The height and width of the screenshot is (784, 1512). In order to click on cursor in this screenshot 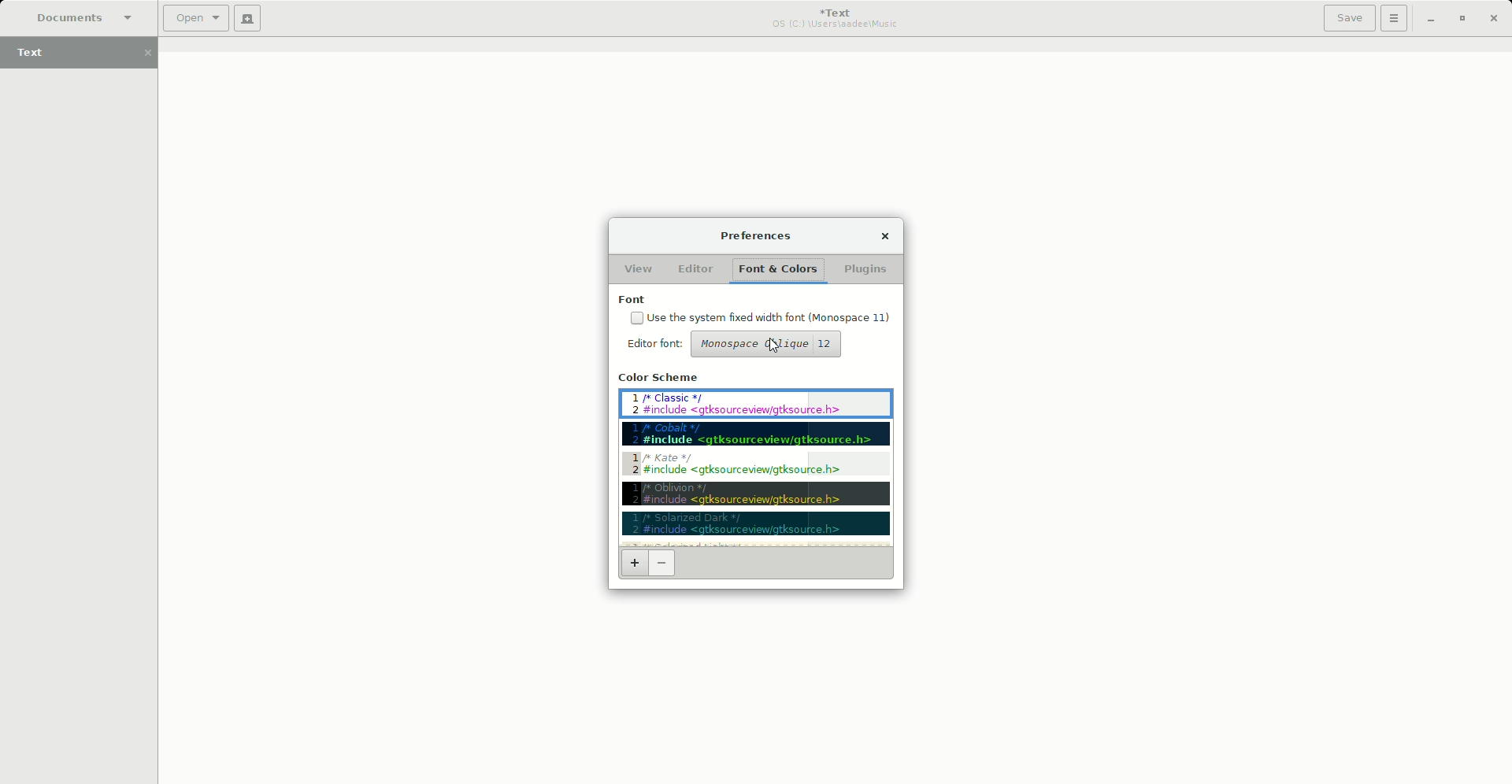, I will do `click(777, 346)`.